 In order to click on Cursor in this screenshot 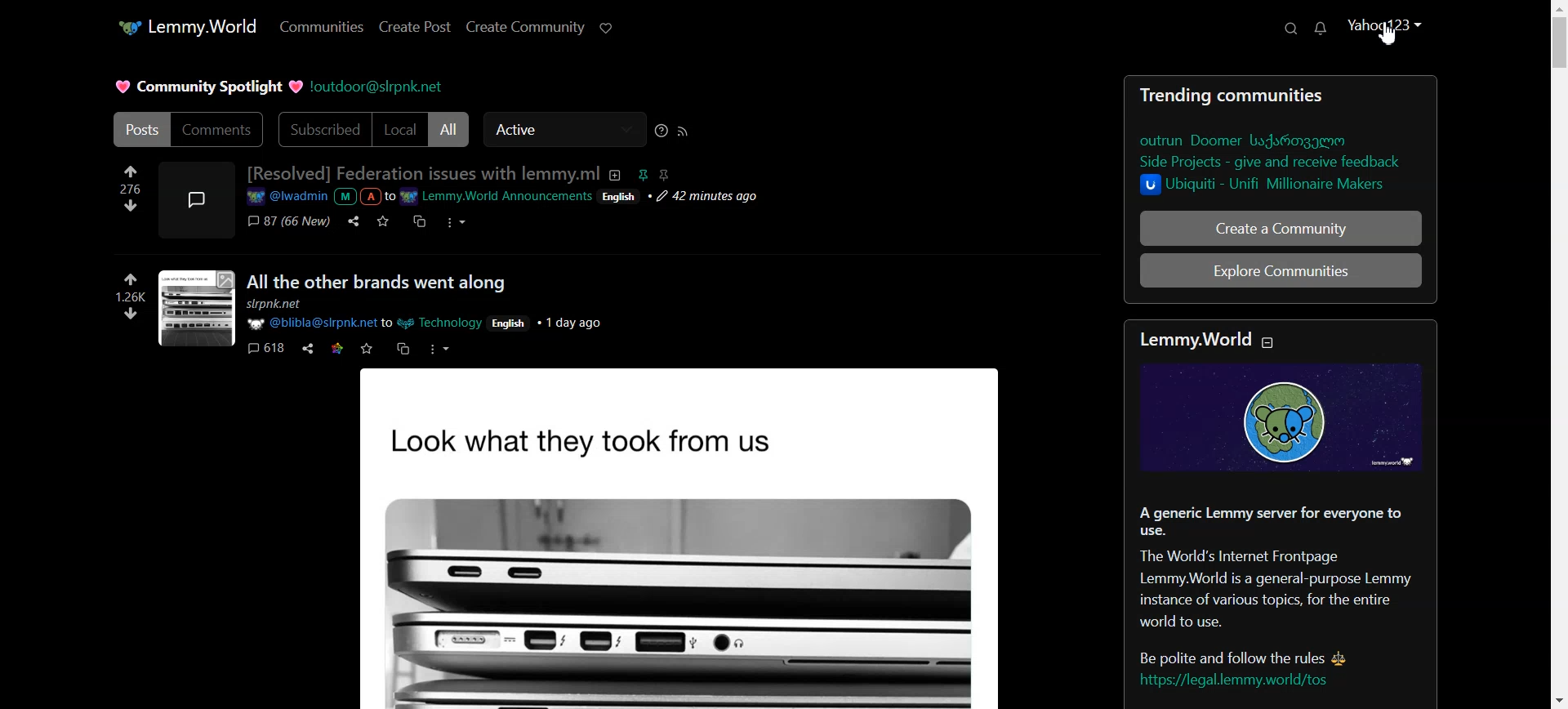, I will do `click(1390, 33)`.